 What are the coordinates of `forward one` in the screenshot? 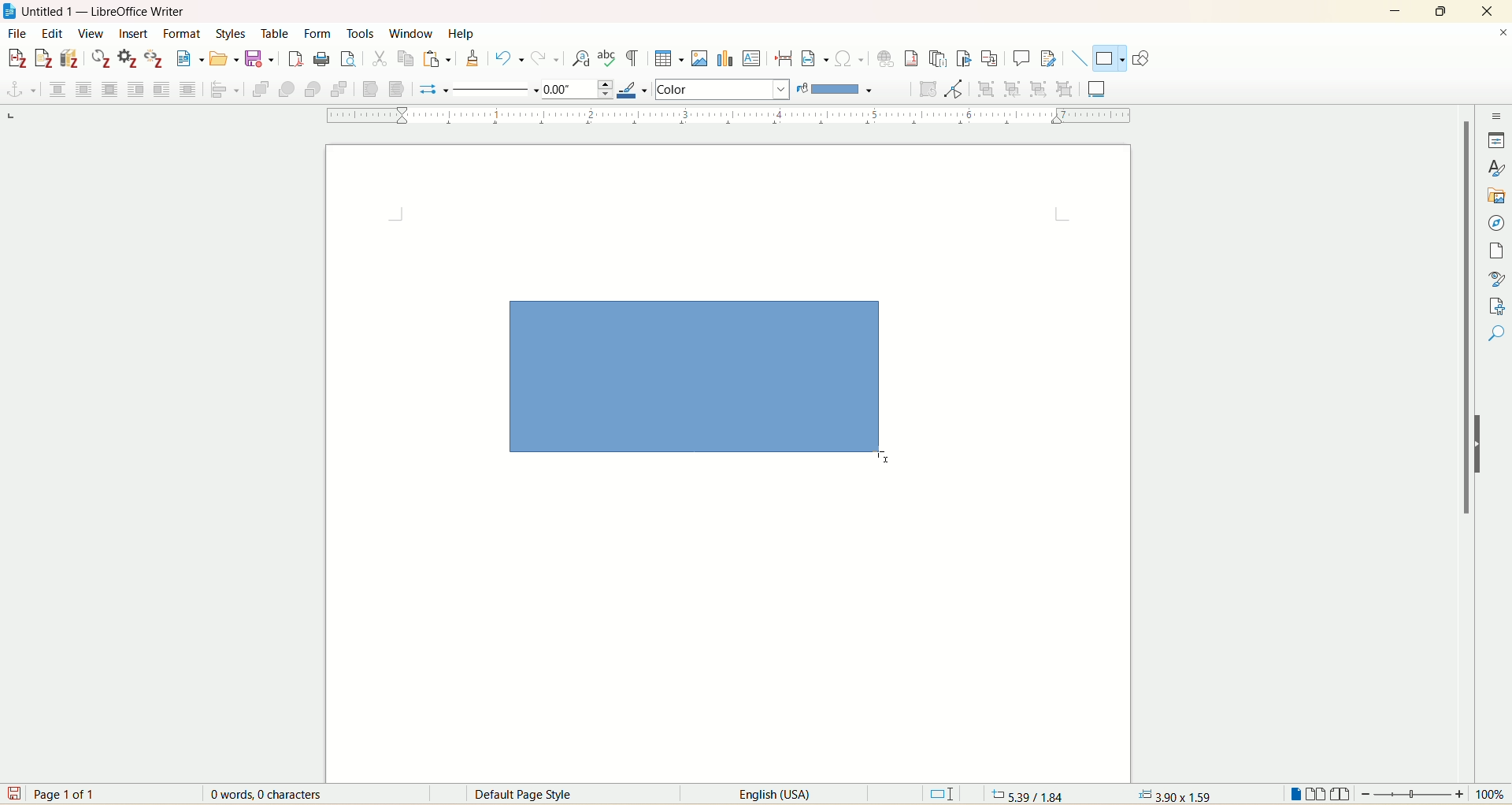 It's located at (287, 91).